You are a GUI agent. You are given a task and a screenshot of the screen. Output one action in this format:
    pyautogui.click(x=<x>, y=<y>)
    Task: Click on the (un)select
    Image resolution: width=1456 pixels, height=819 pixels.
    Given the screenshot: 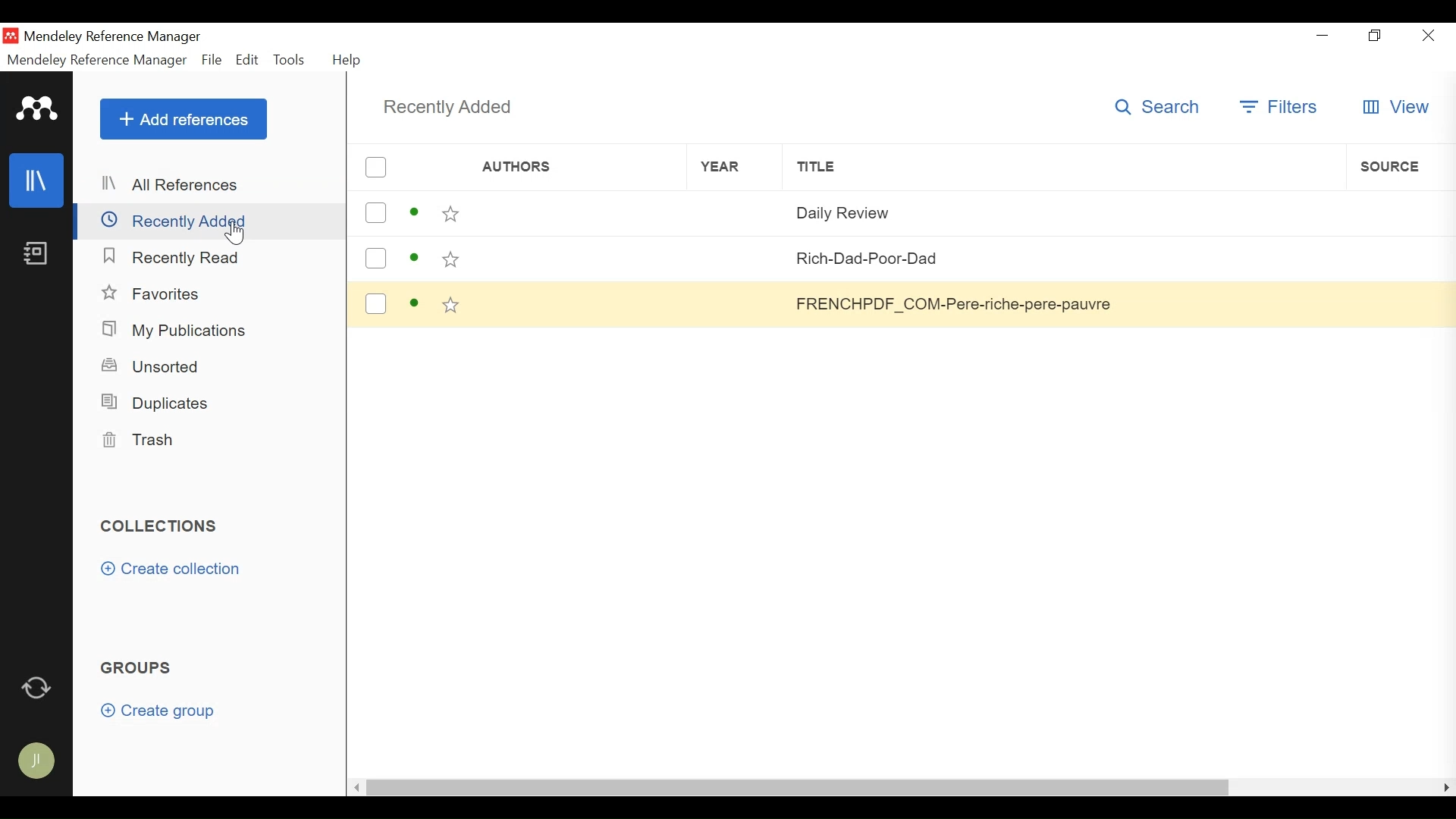 What is the action you would take?
    pyautogui.click(x=377, y=167)
    